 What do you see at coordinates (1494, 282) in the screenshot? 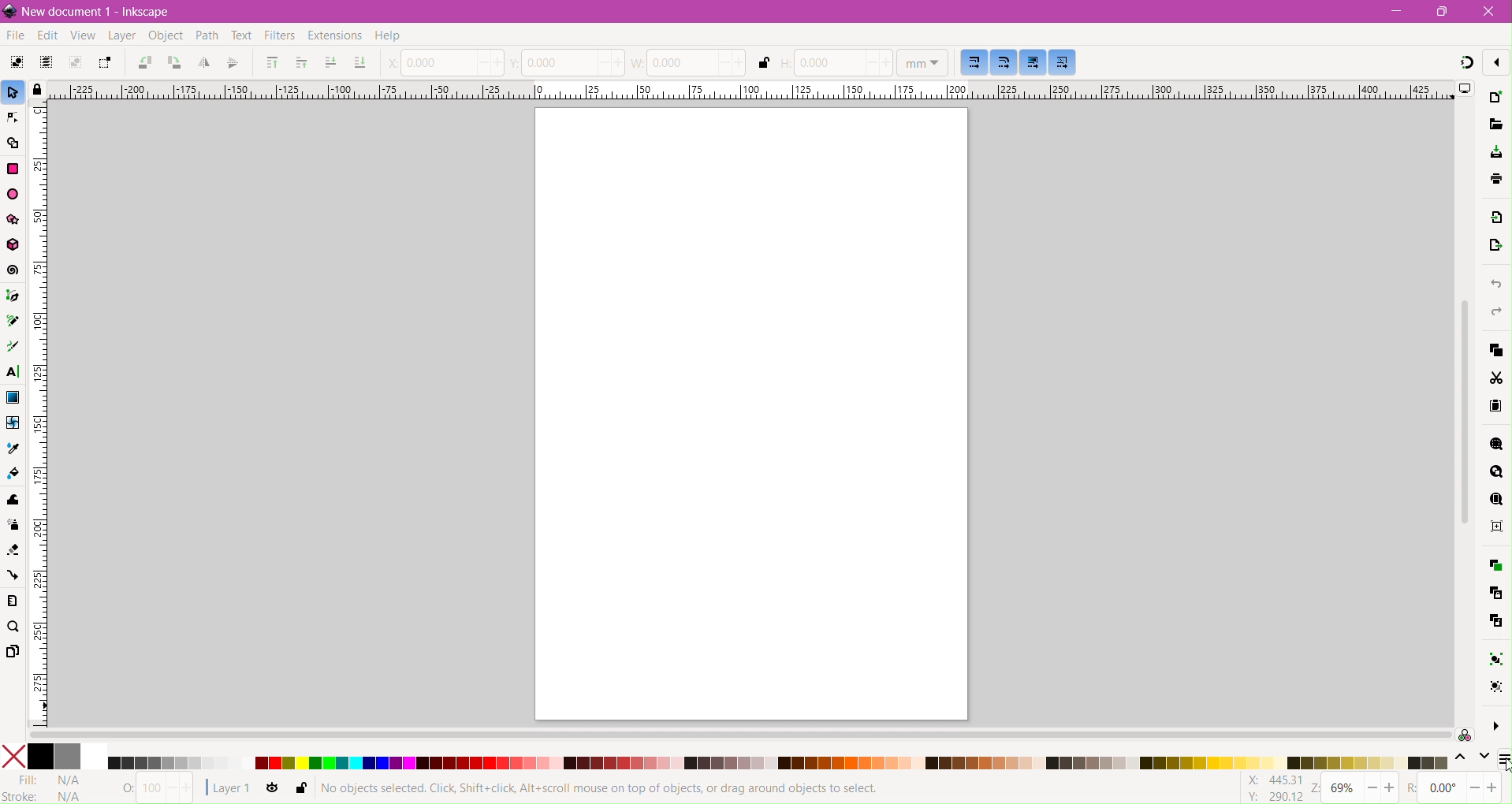
I see `Undo` at bounding box center [1494, 282].